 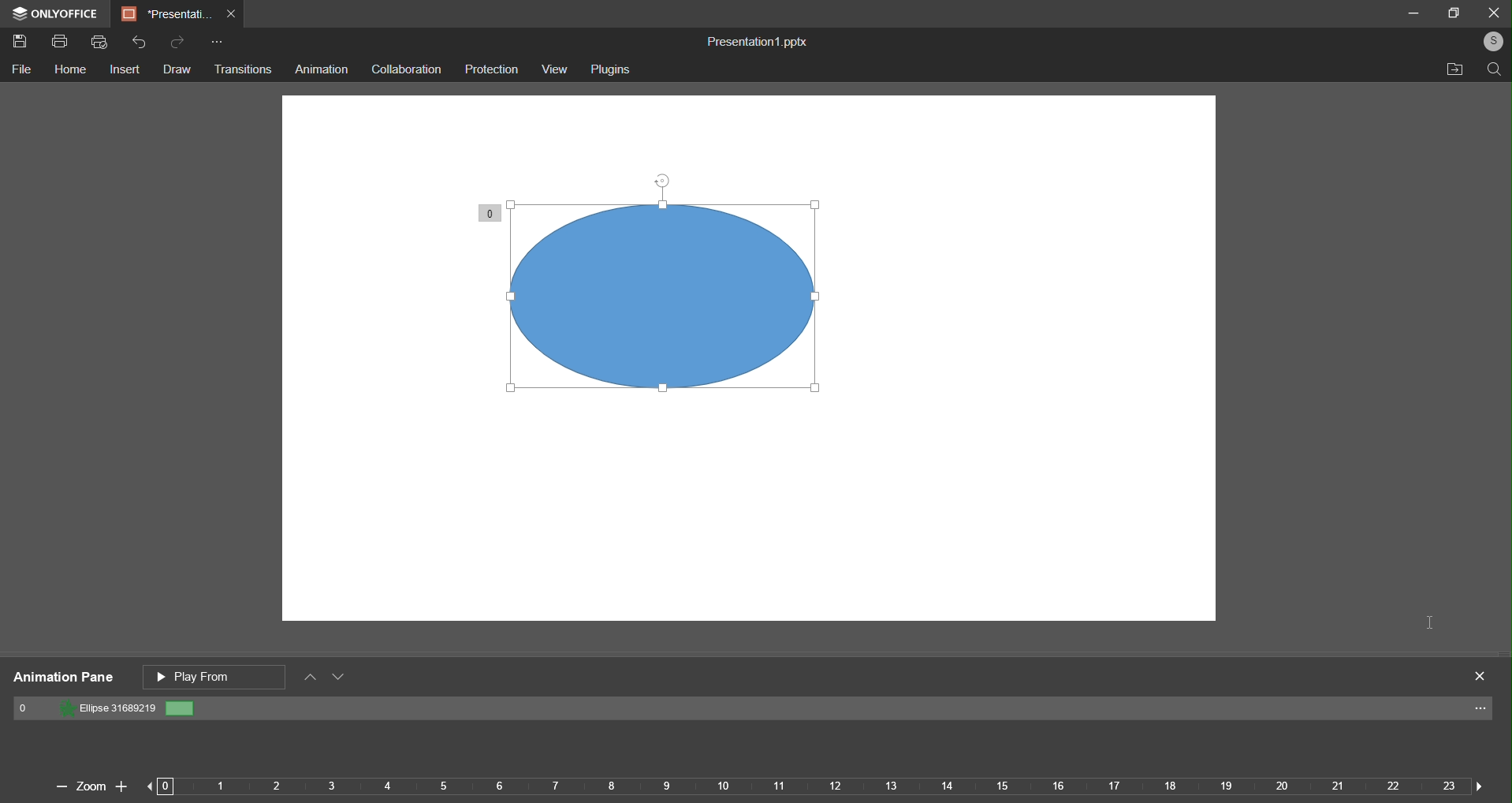 I want to click on prediction, so click(x=492, y=69).